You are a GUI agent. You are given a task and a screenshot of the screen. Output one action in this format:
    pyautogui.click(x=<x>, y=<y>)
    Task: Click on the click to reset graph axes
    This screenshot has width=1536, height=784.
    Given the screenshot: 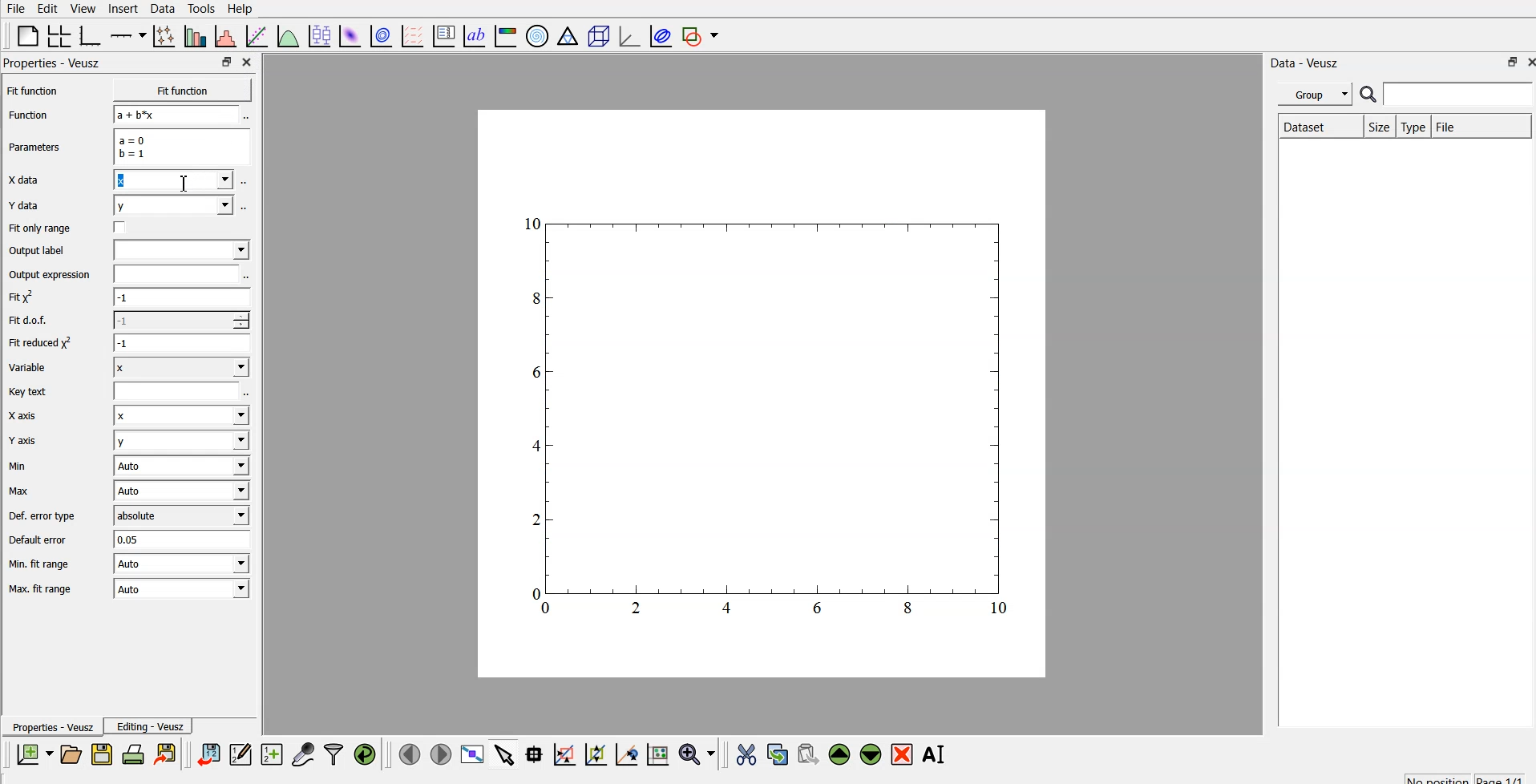 What is the action you would take?
    pyautogui.click(x=659, y=754)
    